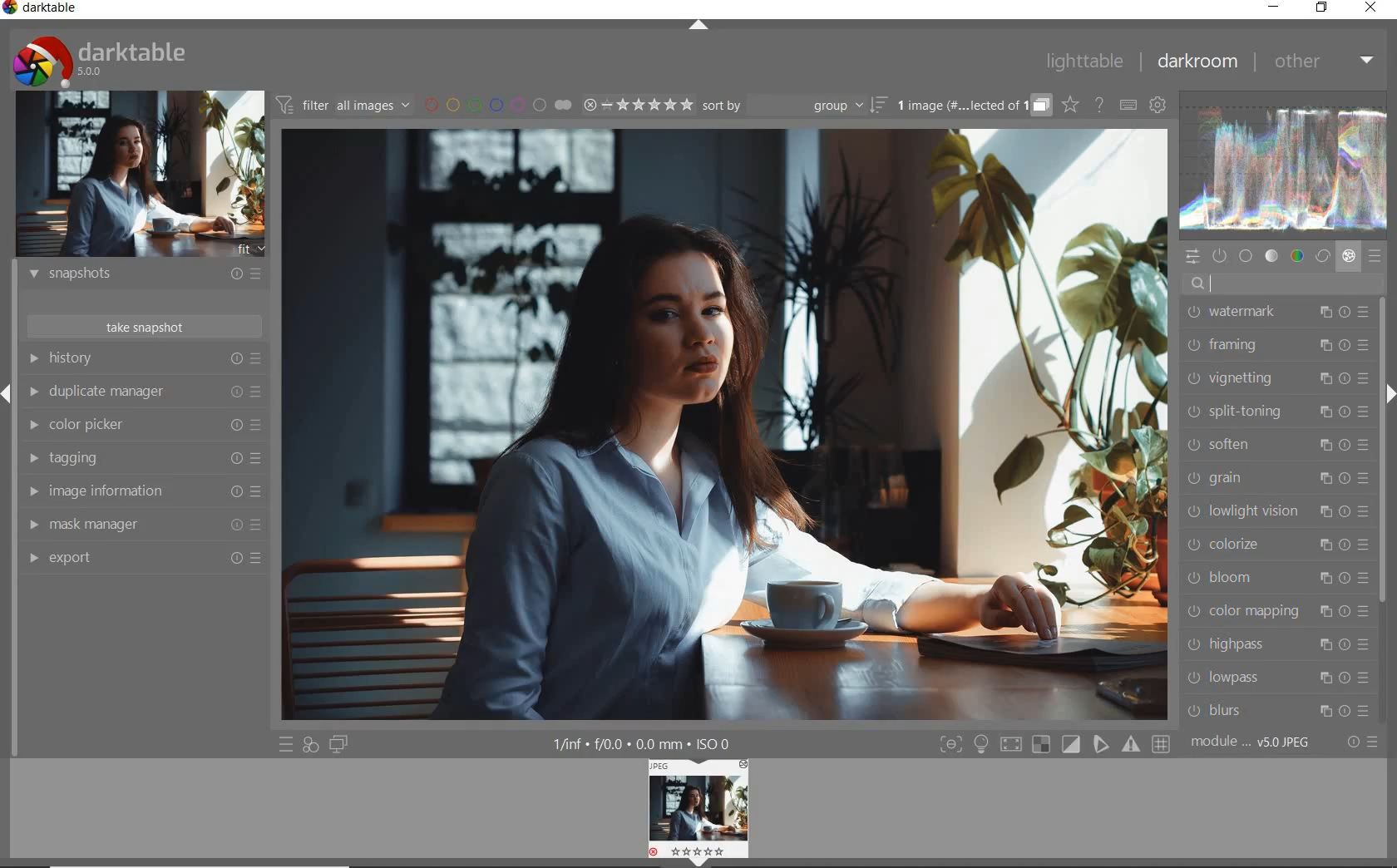 This screenshot has width=1397, height=868. I want to click on filter all images by module order, so click(342, 106).